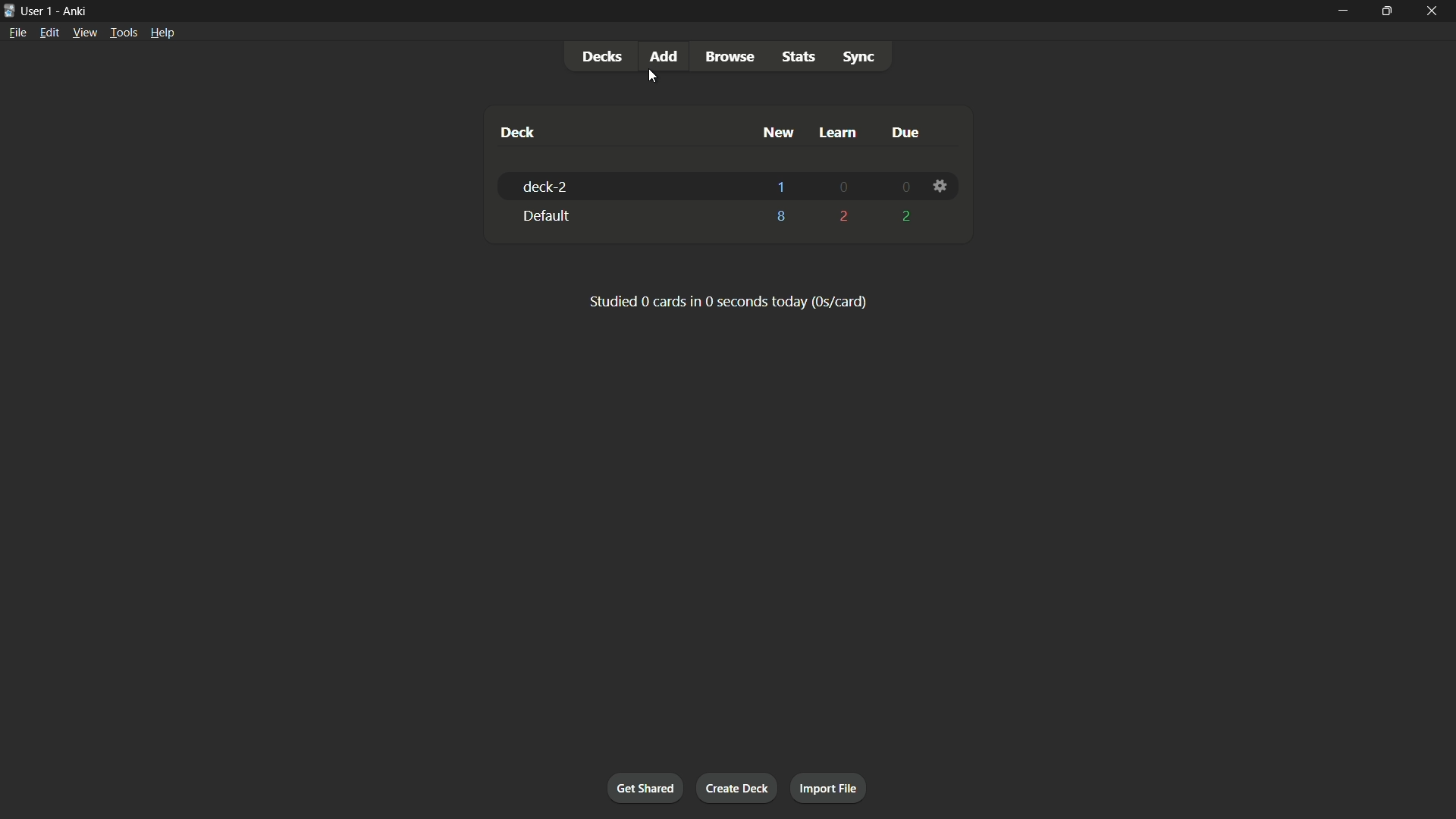 The width and height of the screenshot is (1456, 819). I want to click on due, so click(903, 133).